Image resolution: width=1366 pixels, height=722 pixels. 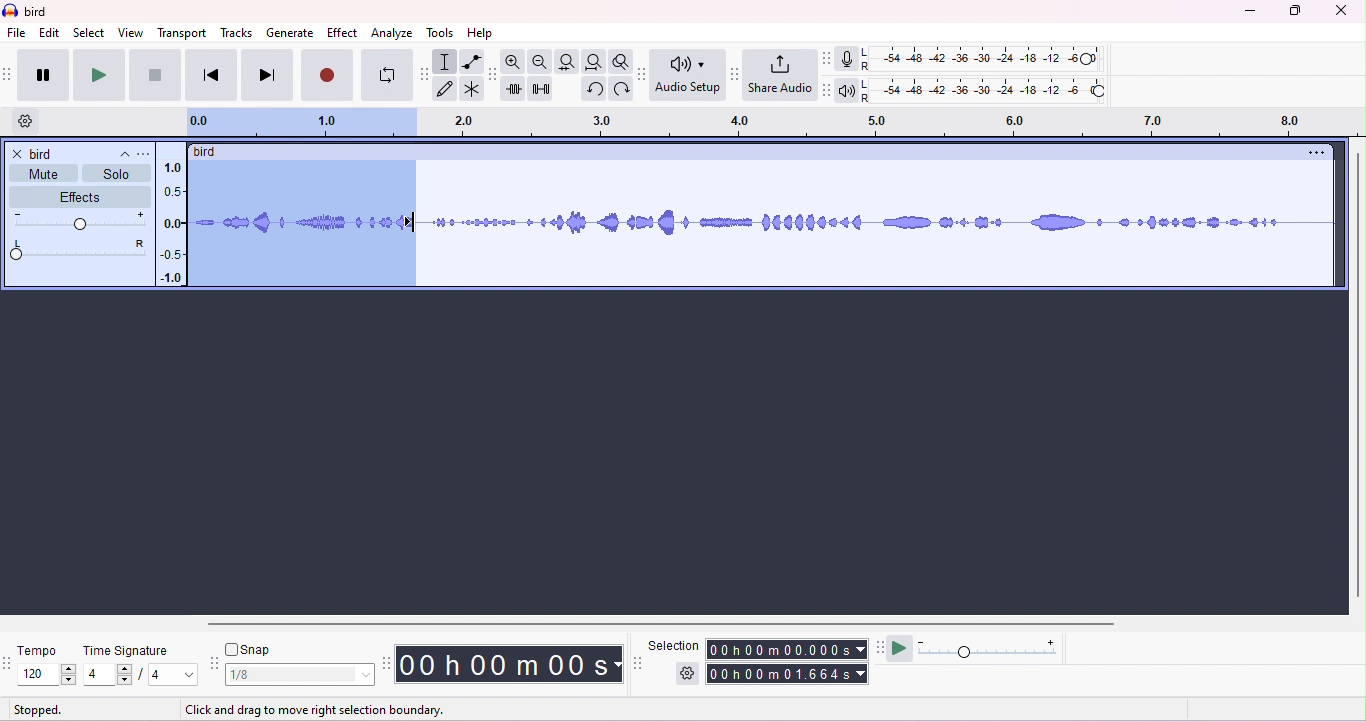 What do you see at coordinates (88, 33) in the screenshot?
I see `select` at bounding box center [88, 33].